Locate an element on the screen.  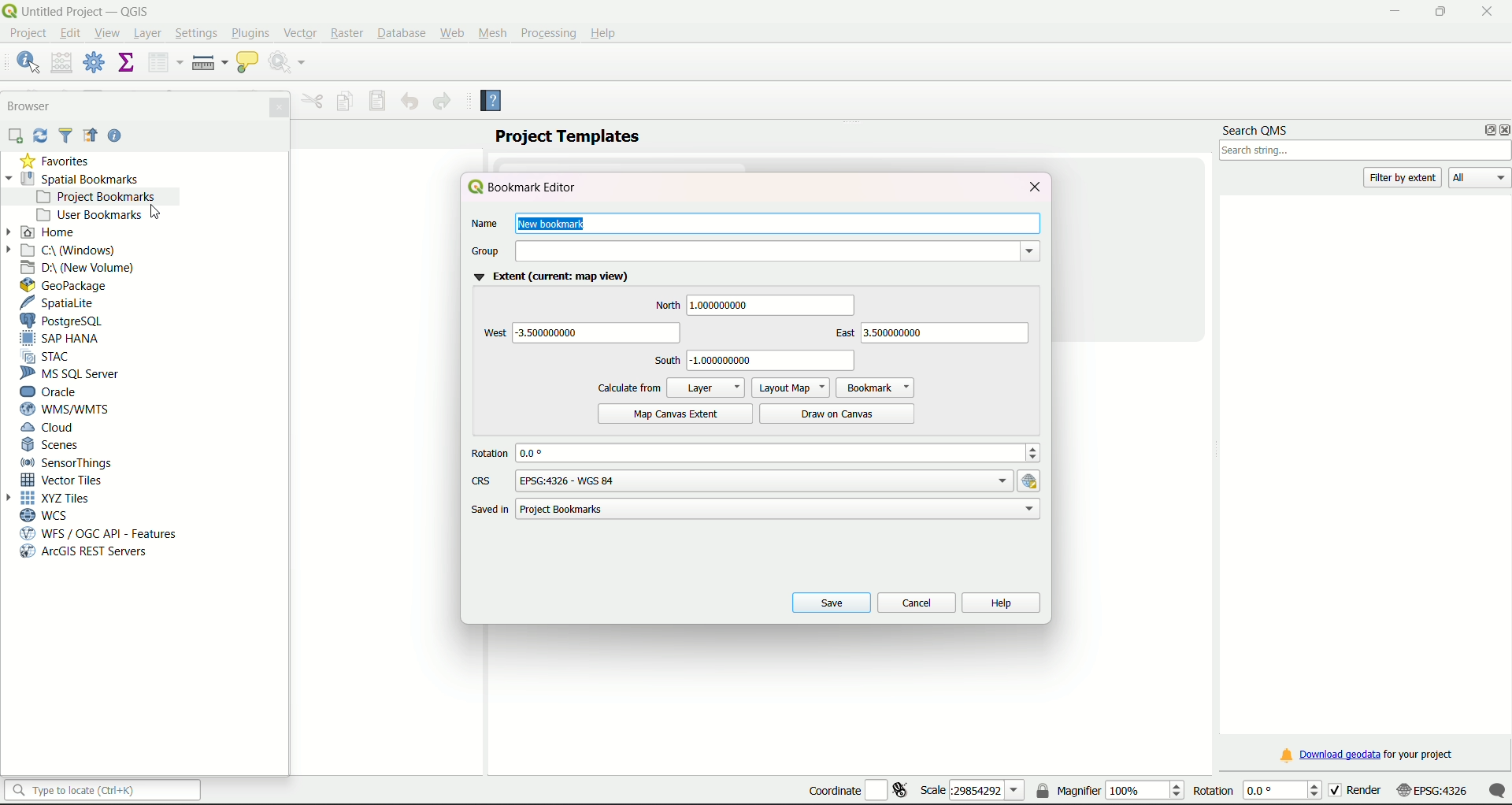
WCS is located at coordinates (50, 516).